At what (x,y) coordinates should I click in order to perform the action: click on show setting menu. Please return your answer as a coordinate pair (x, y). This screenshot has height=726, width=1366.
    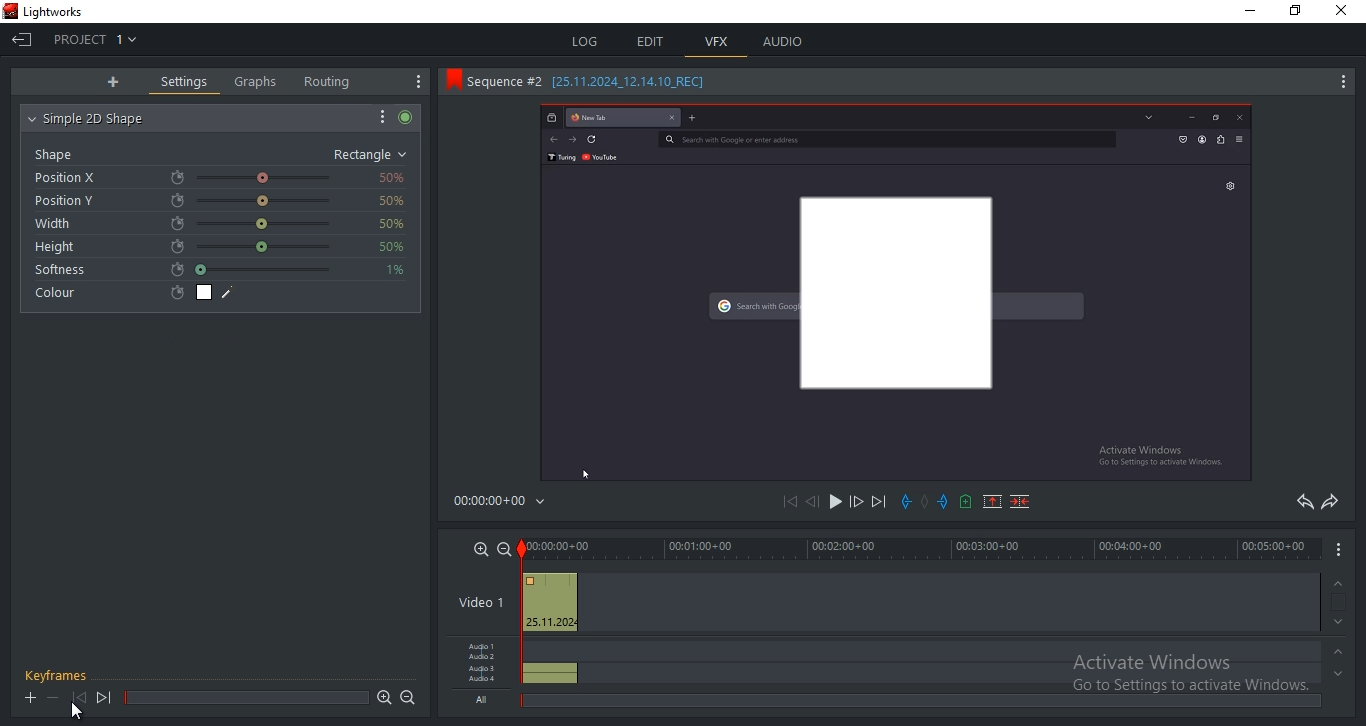
    Looking at the image, I should click on (420, 81).